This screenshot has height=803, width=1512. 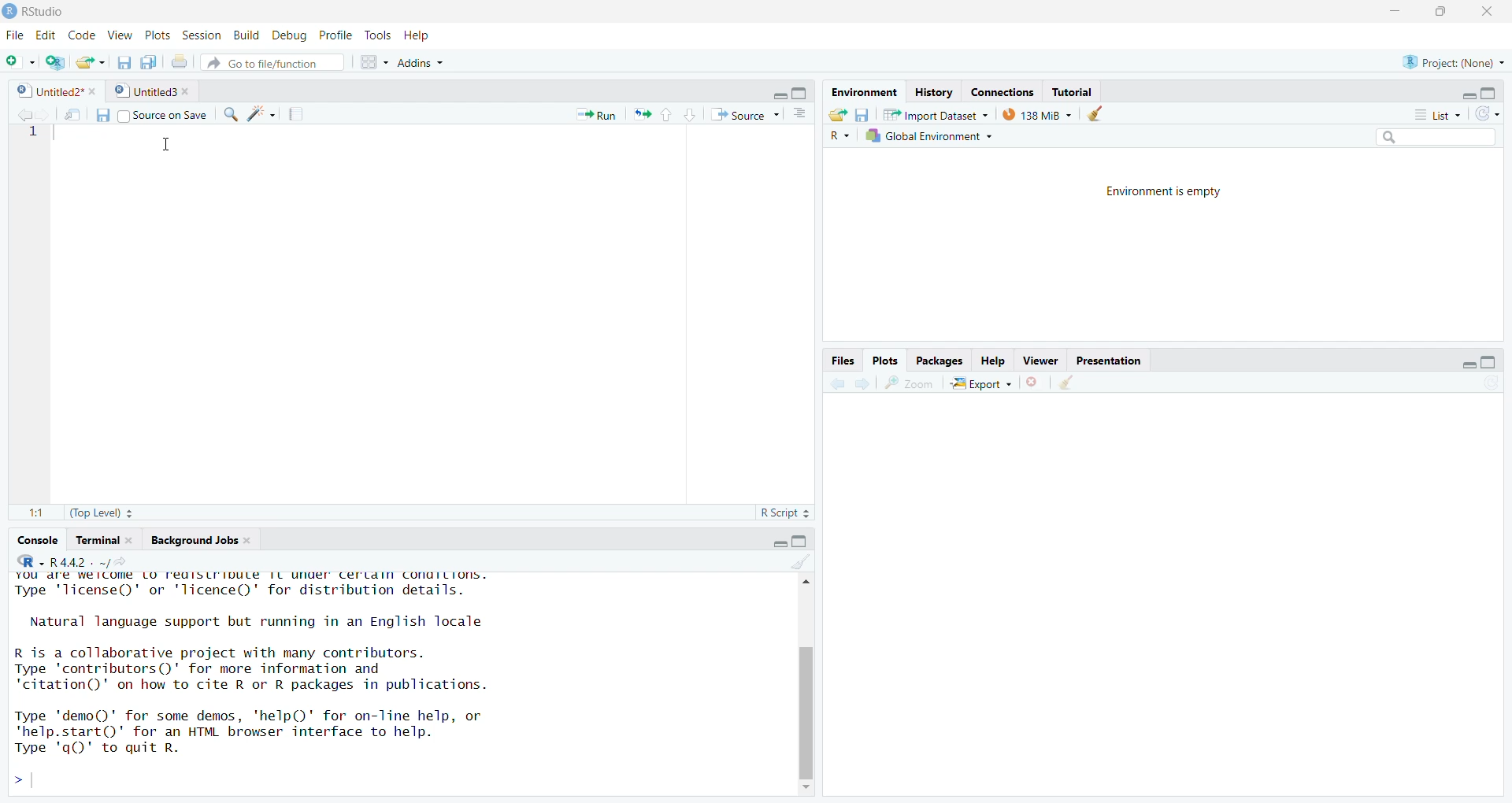 What do you see at coordinates (375, 35) in the screenshot?
I see `Tools` at bounding box center [375, 35].